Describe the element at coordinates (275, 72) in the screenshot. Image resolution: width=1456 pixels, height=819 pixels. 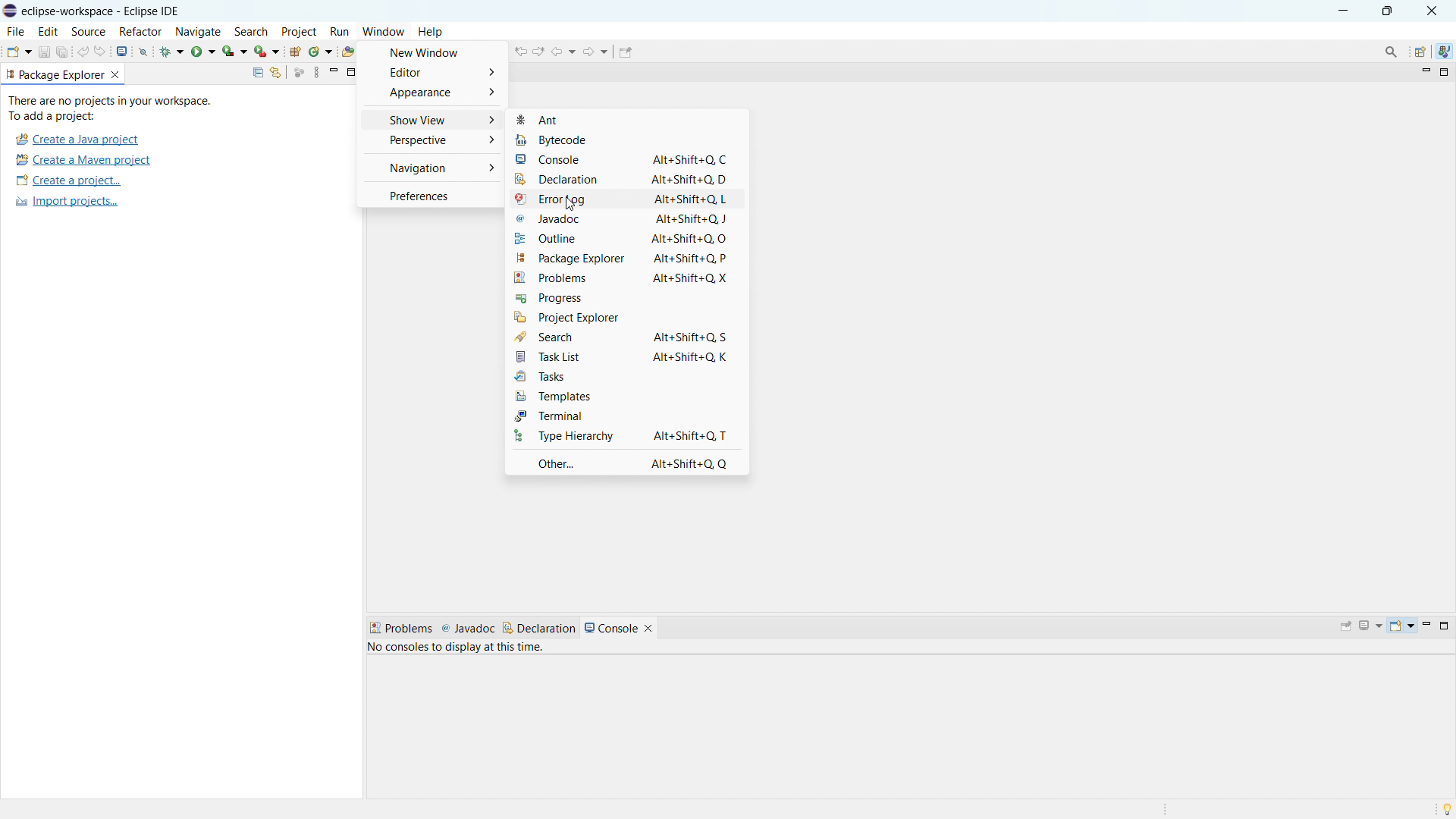
I see `link with editor` at that location.